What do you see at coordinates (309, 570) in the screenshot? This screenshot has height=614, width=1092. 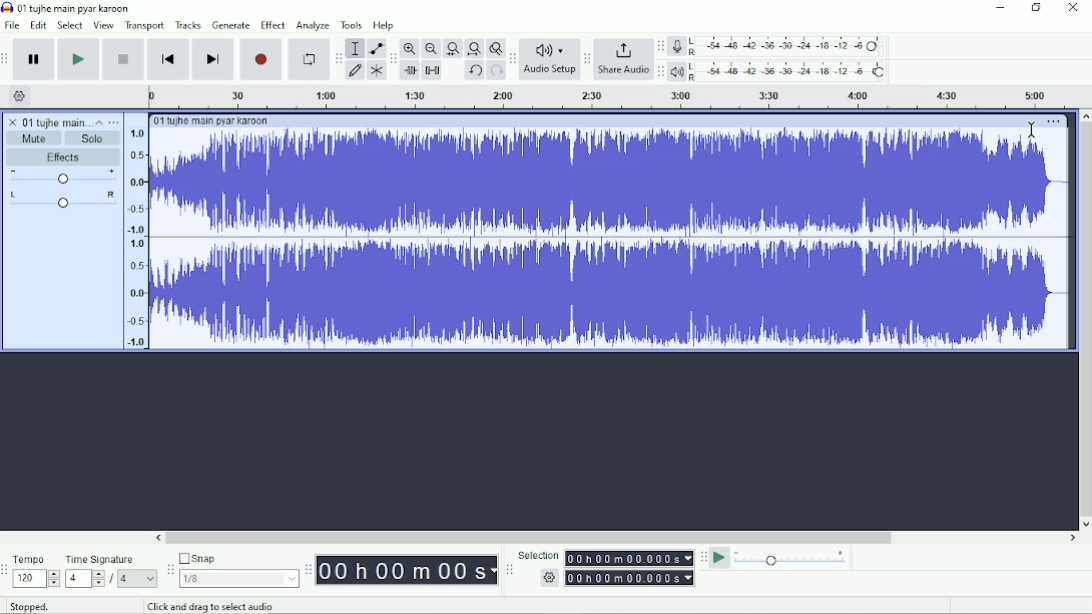 I see `Audacity time toolbar` at bounding box center [309, 570].